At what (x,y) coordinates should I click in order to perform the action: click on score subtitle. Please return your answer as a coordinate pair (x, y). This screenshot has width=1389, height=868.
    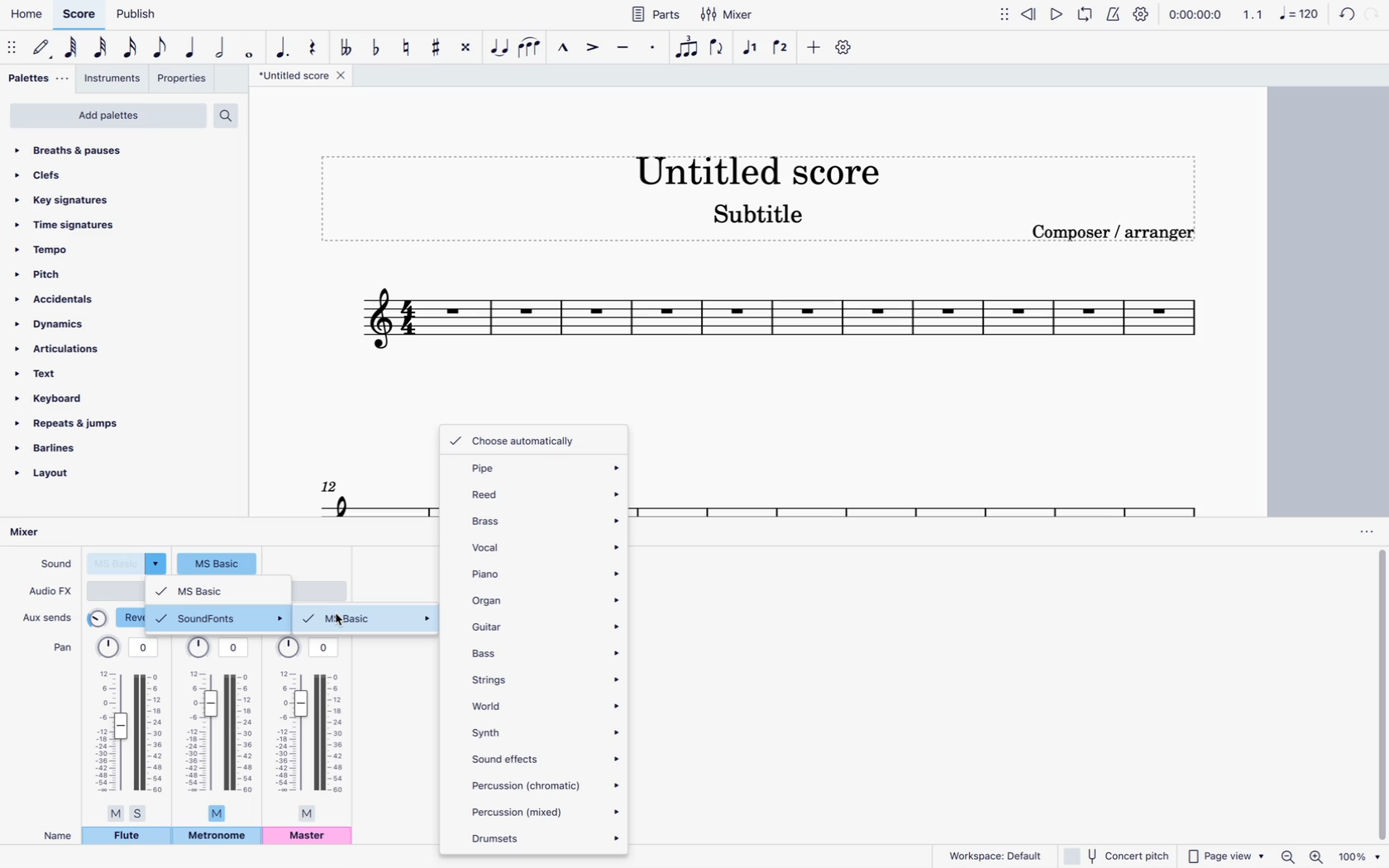
    Looking at the image, I should click on (759, 218).